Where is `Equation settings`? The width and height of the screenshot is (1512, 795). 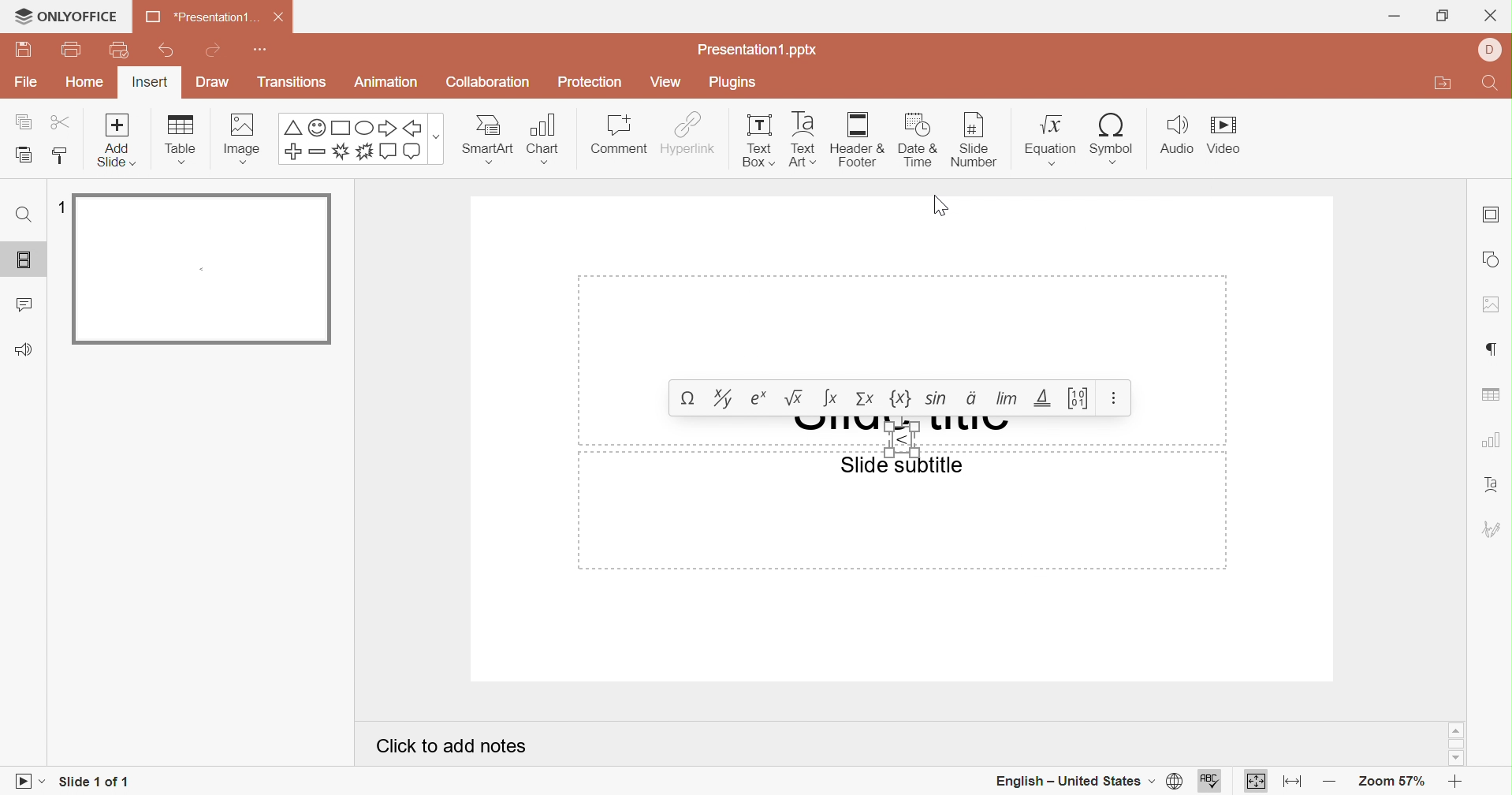 Equation settings is located at coordinates (1116, 398).